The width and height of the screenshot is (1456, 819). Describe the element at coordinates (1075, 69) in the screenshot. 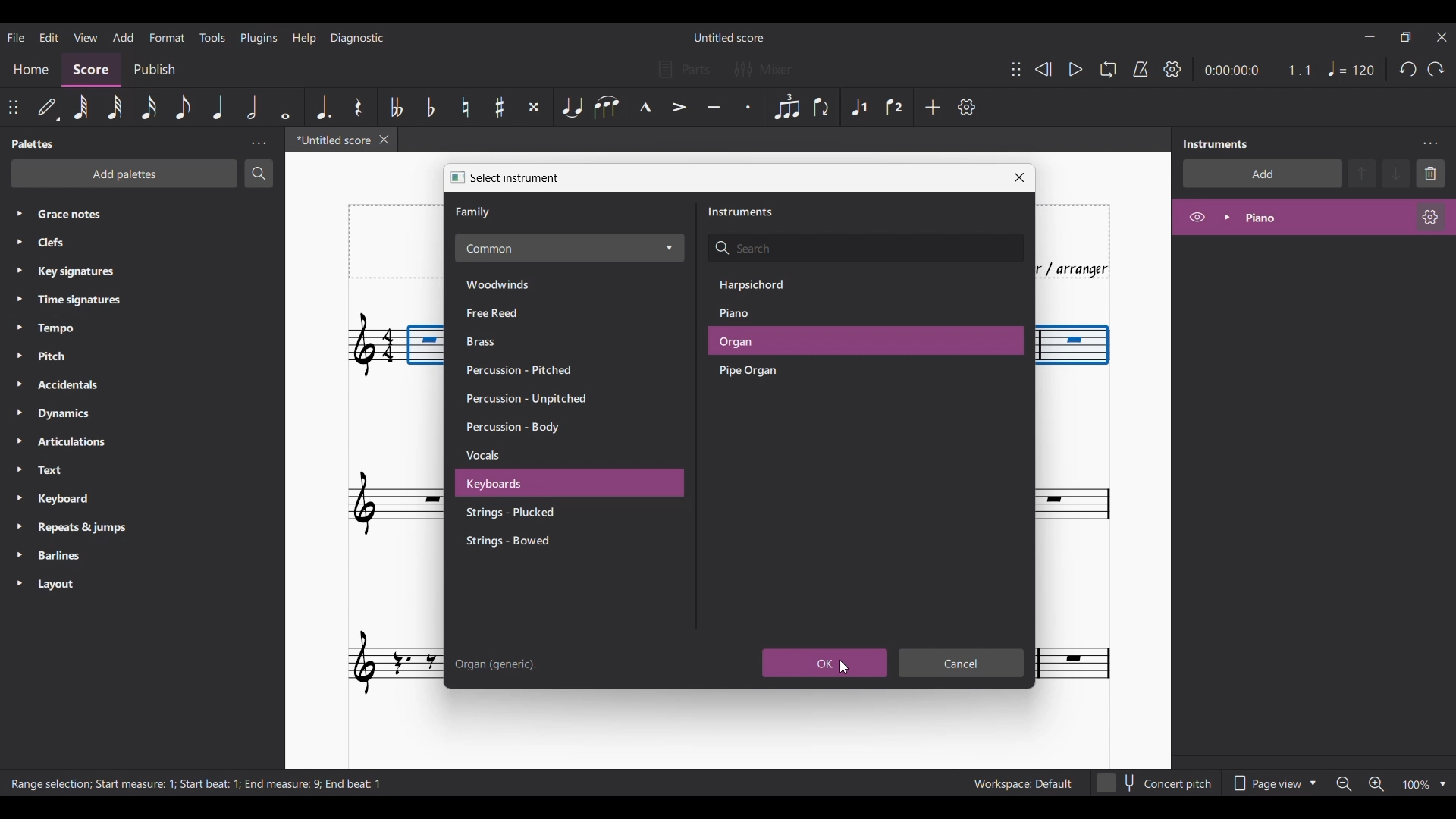

I see `Play` at that location.